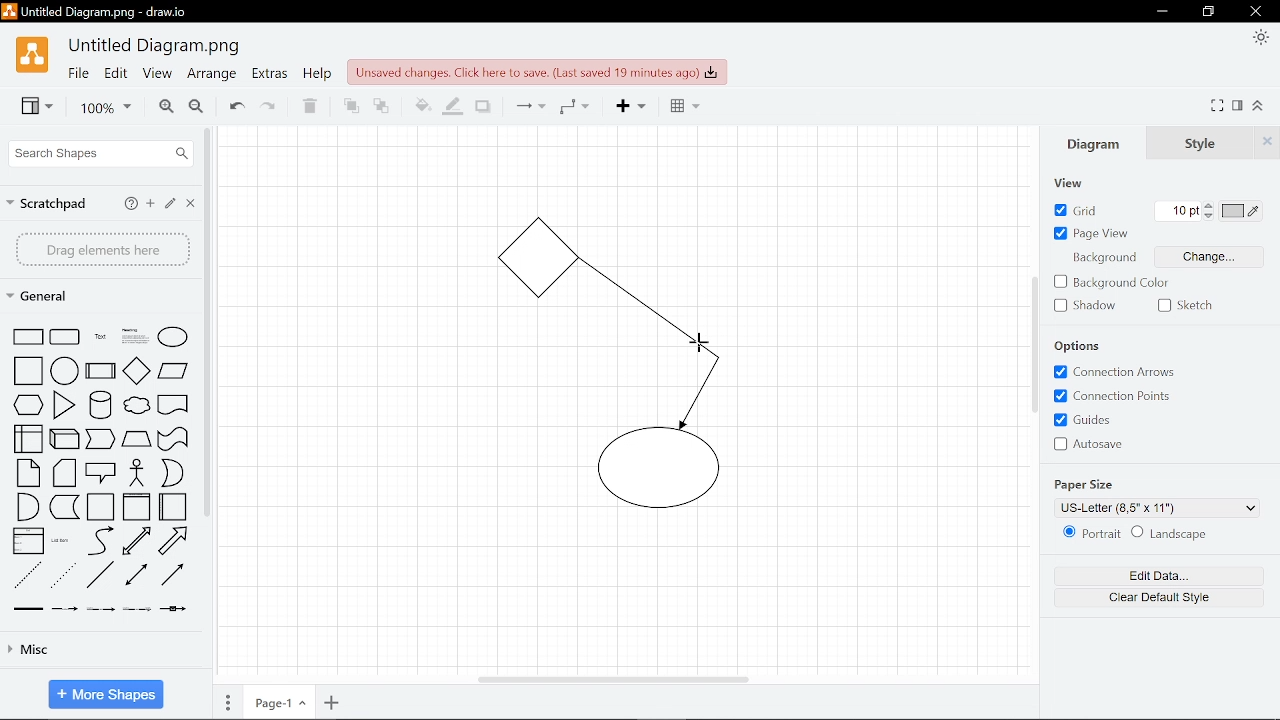 This screenshot has width=1280, height=720. Describe the element at coordinates (1095, 419) in the screenshot. I see `Guides` at that location.